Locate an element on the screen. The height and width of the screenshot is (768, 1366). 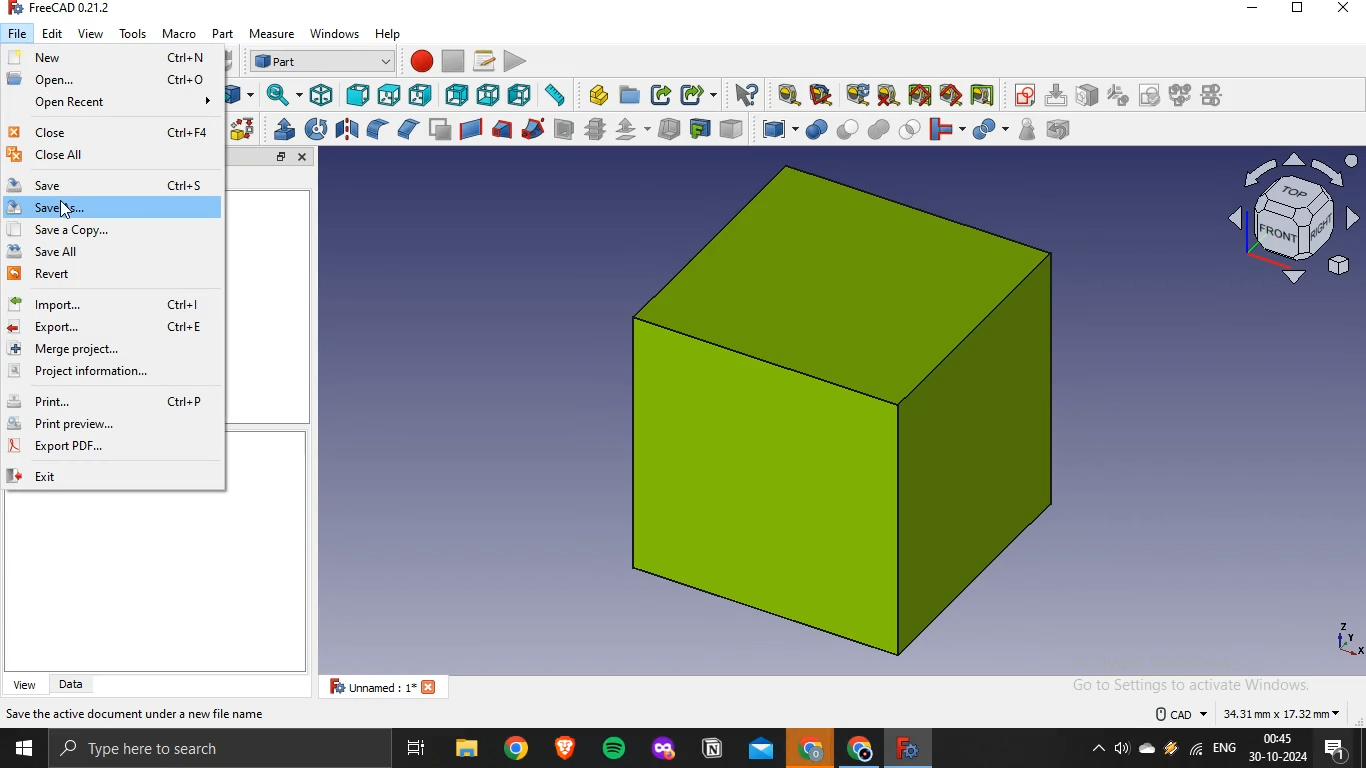
top is located at coordinates (388, 93).